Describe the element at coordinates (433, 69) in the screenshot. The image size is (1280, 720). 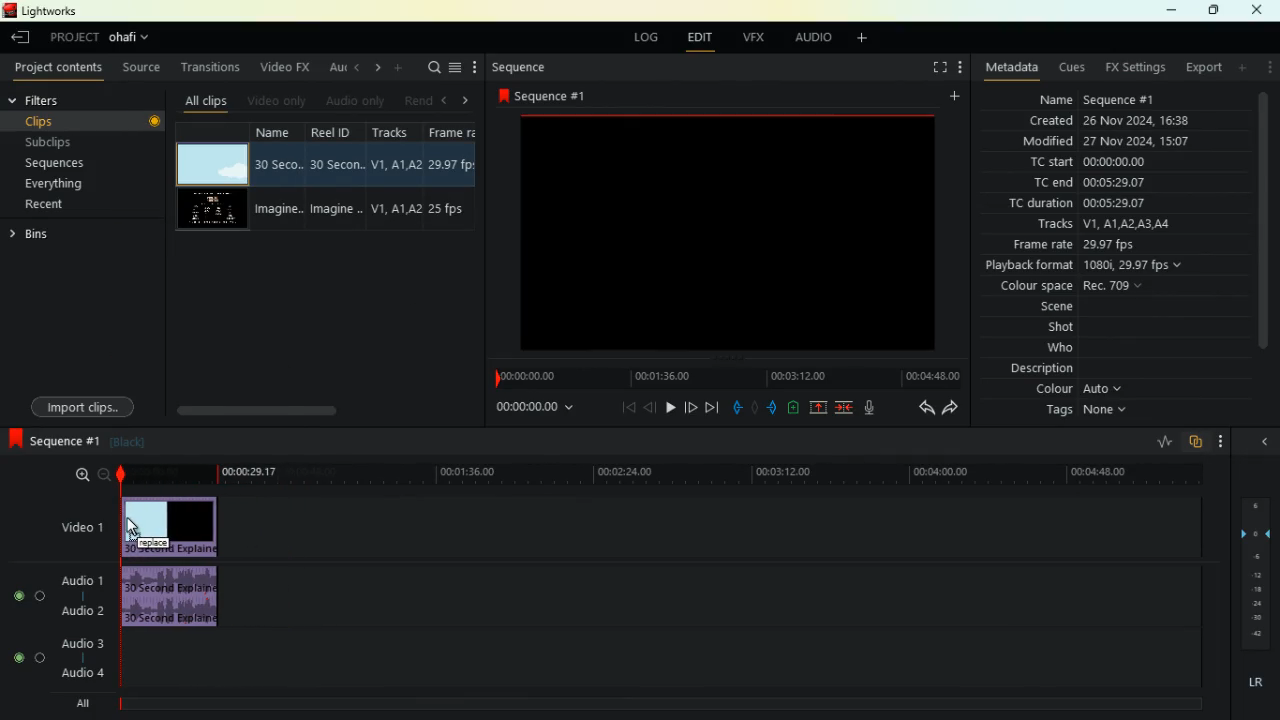
I see `search` at that location.